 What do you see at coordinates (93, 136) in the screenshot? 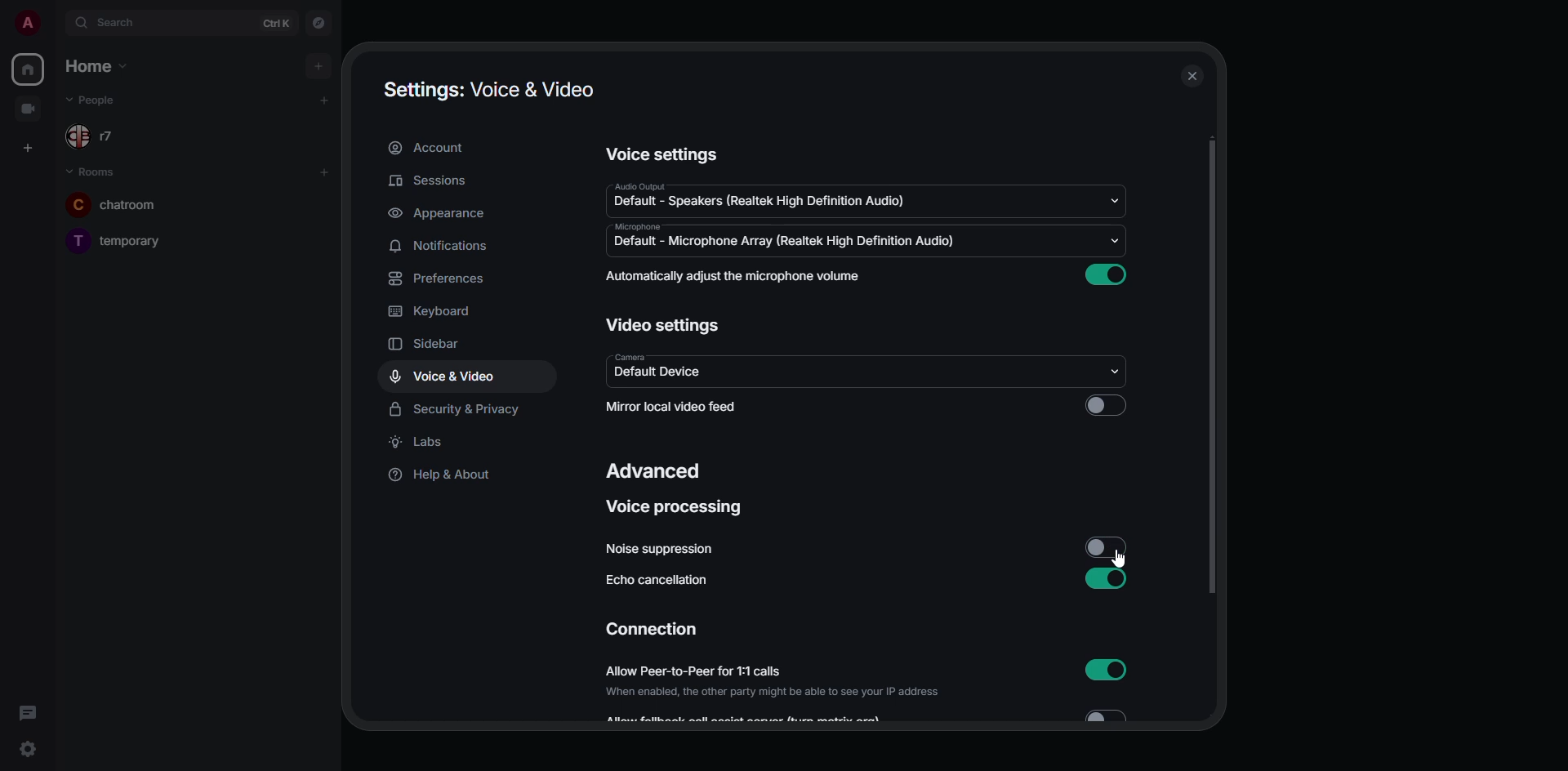
I see `r7` at bounding box center [93, 136].